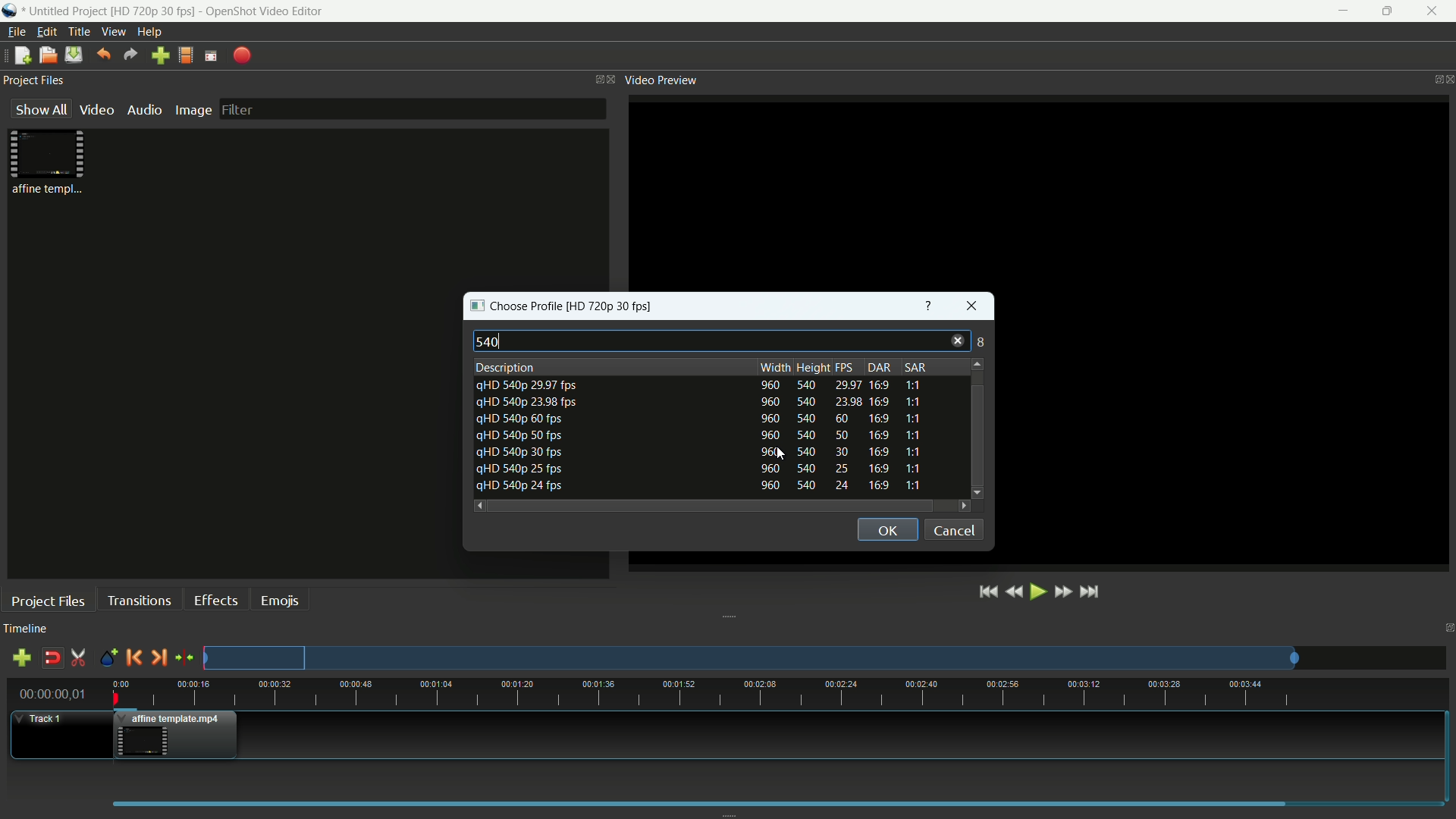 The image size is (1456, 819). Describe the element at coordinates (106, 658) in the screenshot. I see `create marker` at that location.